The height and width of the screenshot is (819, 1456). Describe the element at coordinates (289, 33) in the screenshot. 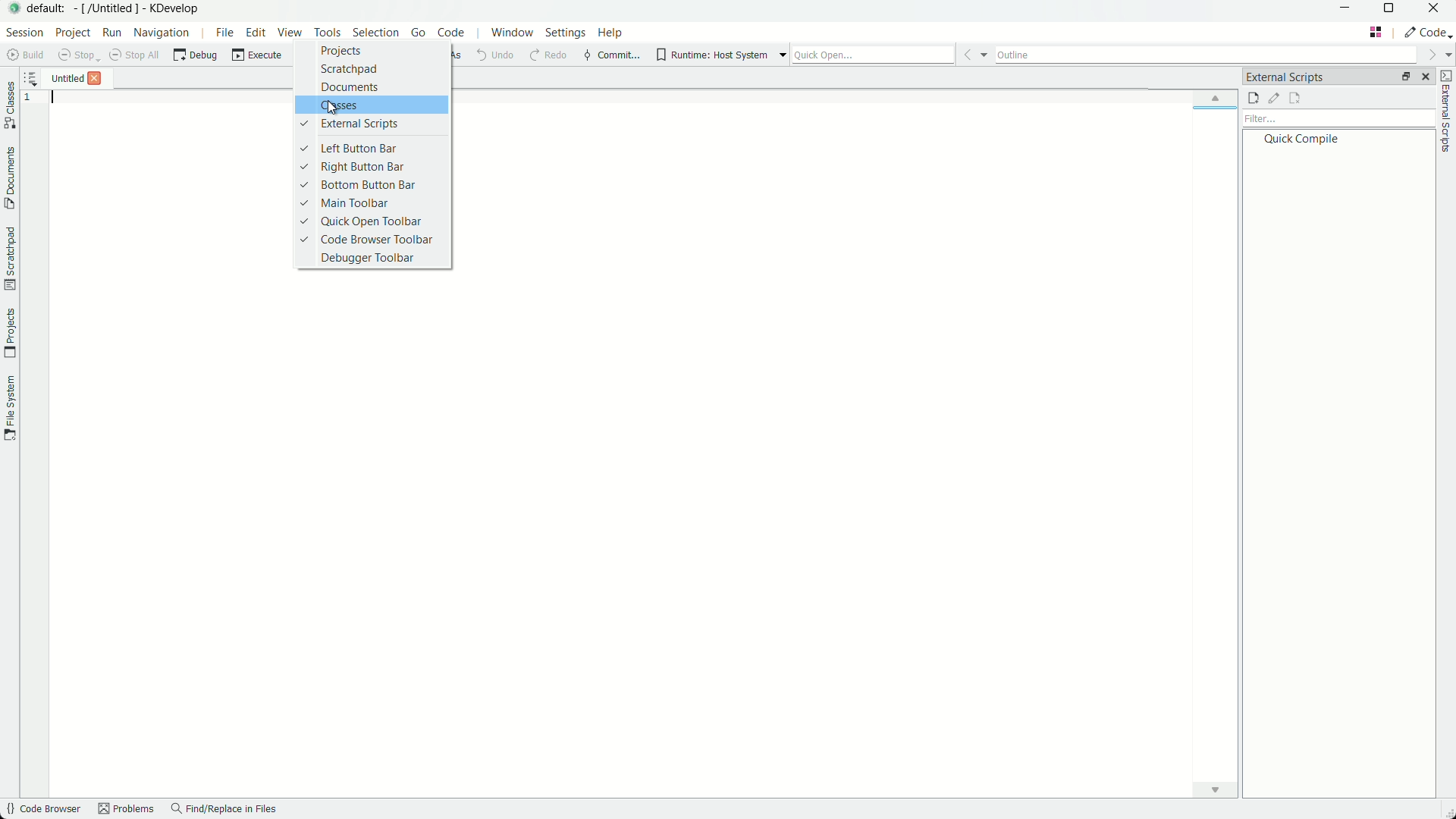

I see `view` at that location.